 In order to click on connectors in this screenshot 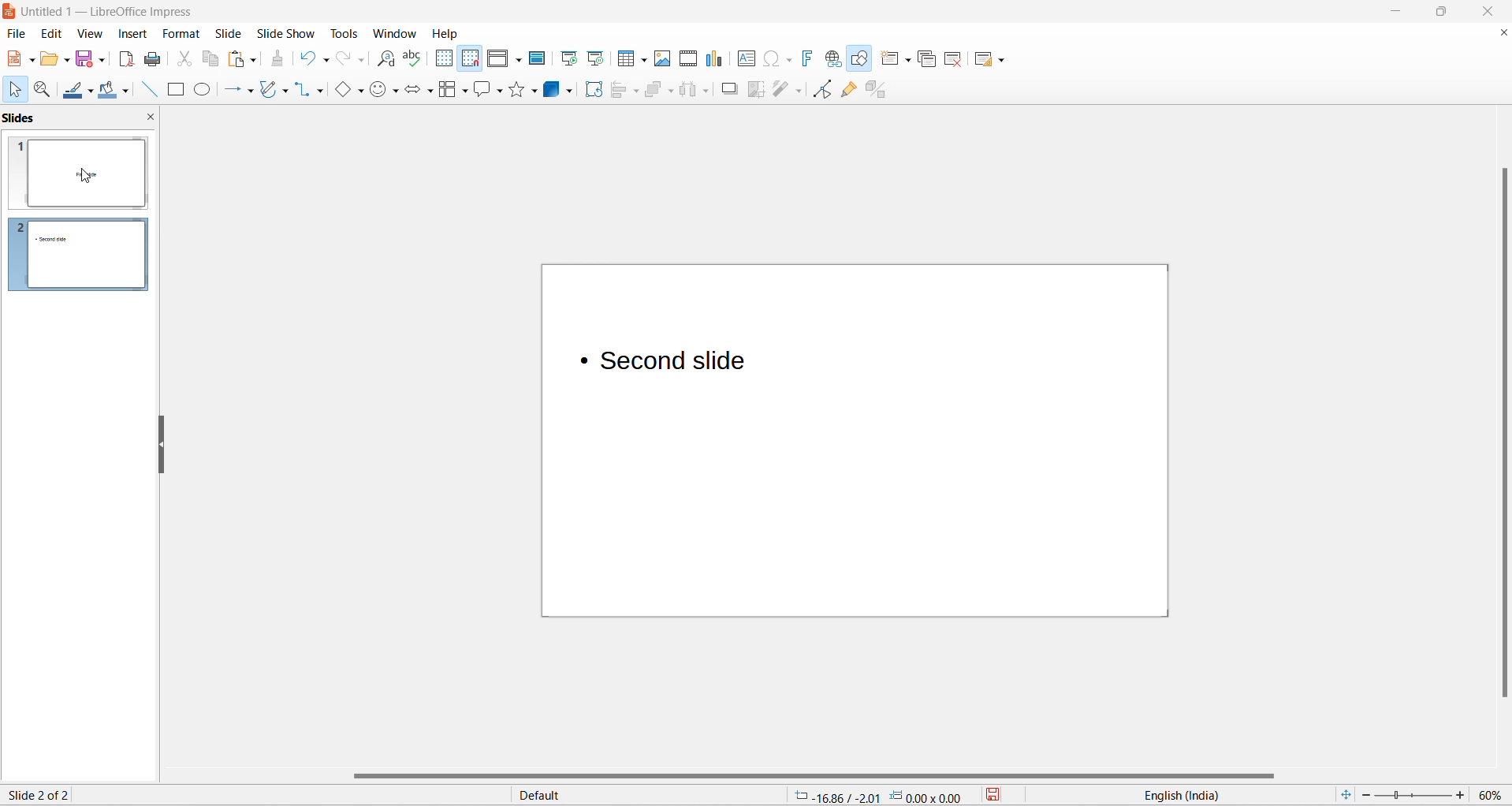, I will do `click(303, 91)`.